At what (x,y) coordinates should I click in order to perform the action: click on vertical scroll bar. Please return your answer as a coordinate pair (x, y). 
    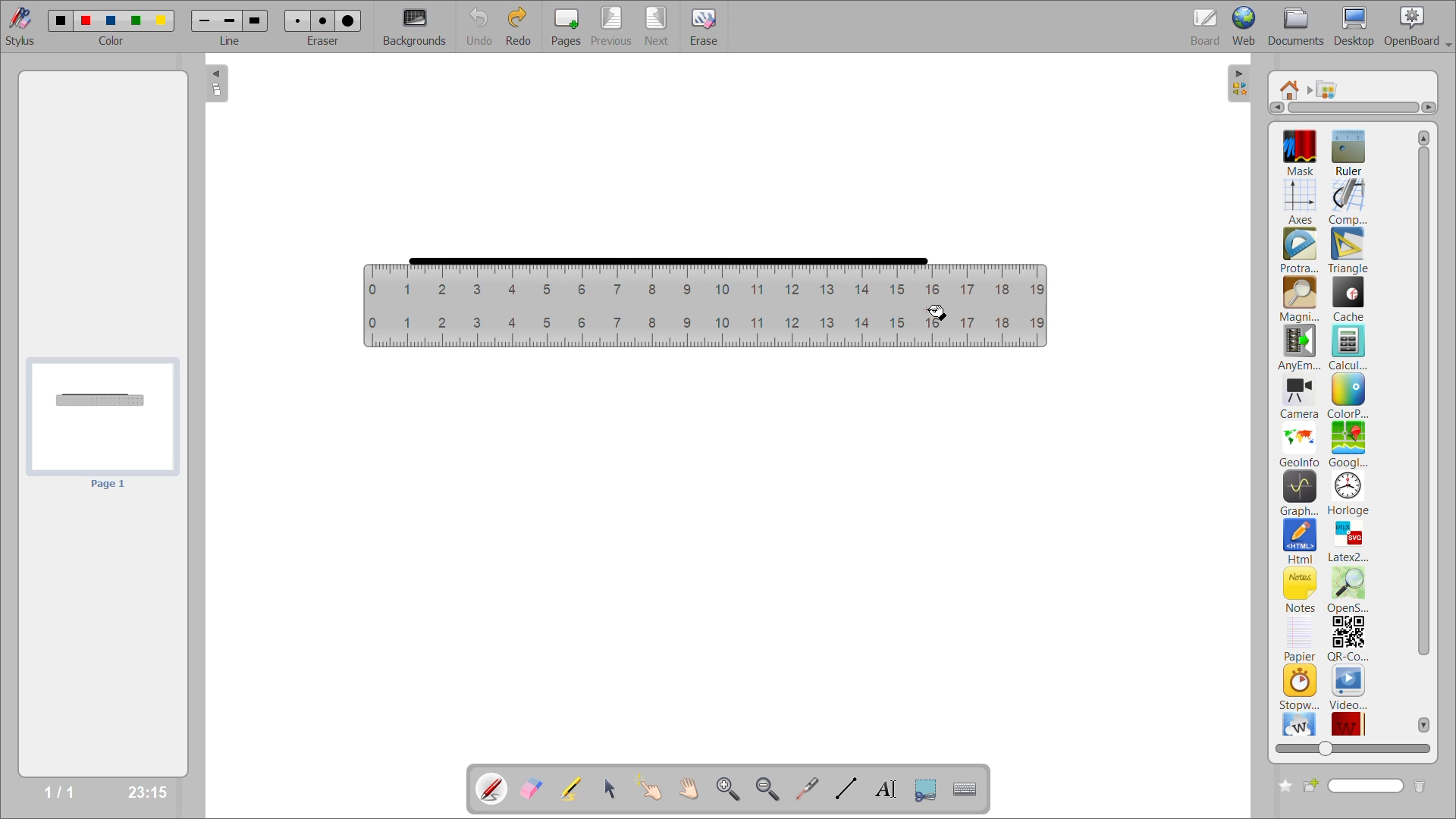
    Looking at the image, I should click on (1425, 431).